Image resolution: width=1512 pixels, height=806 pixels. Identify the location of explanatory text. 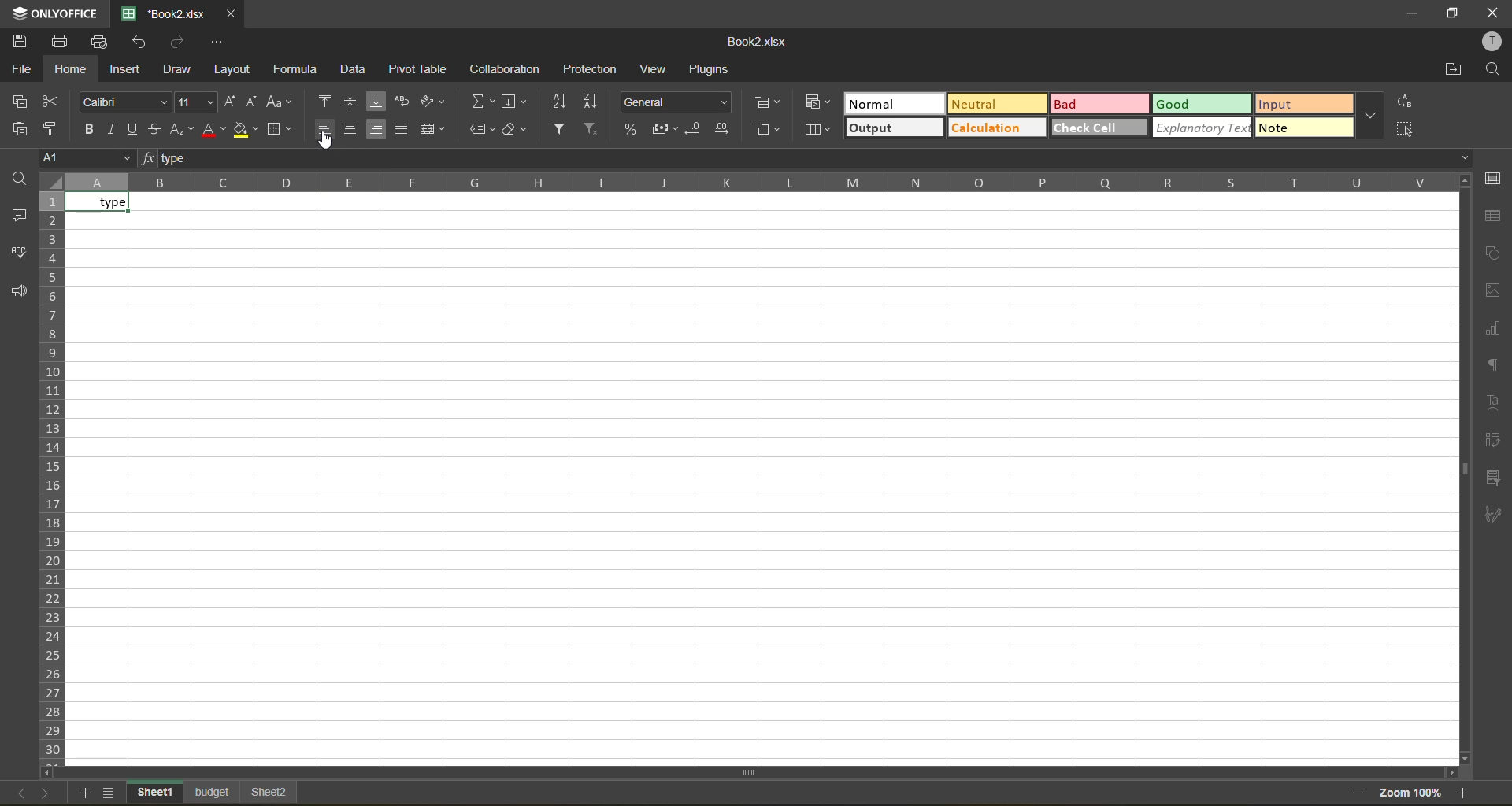
(1205, 129).